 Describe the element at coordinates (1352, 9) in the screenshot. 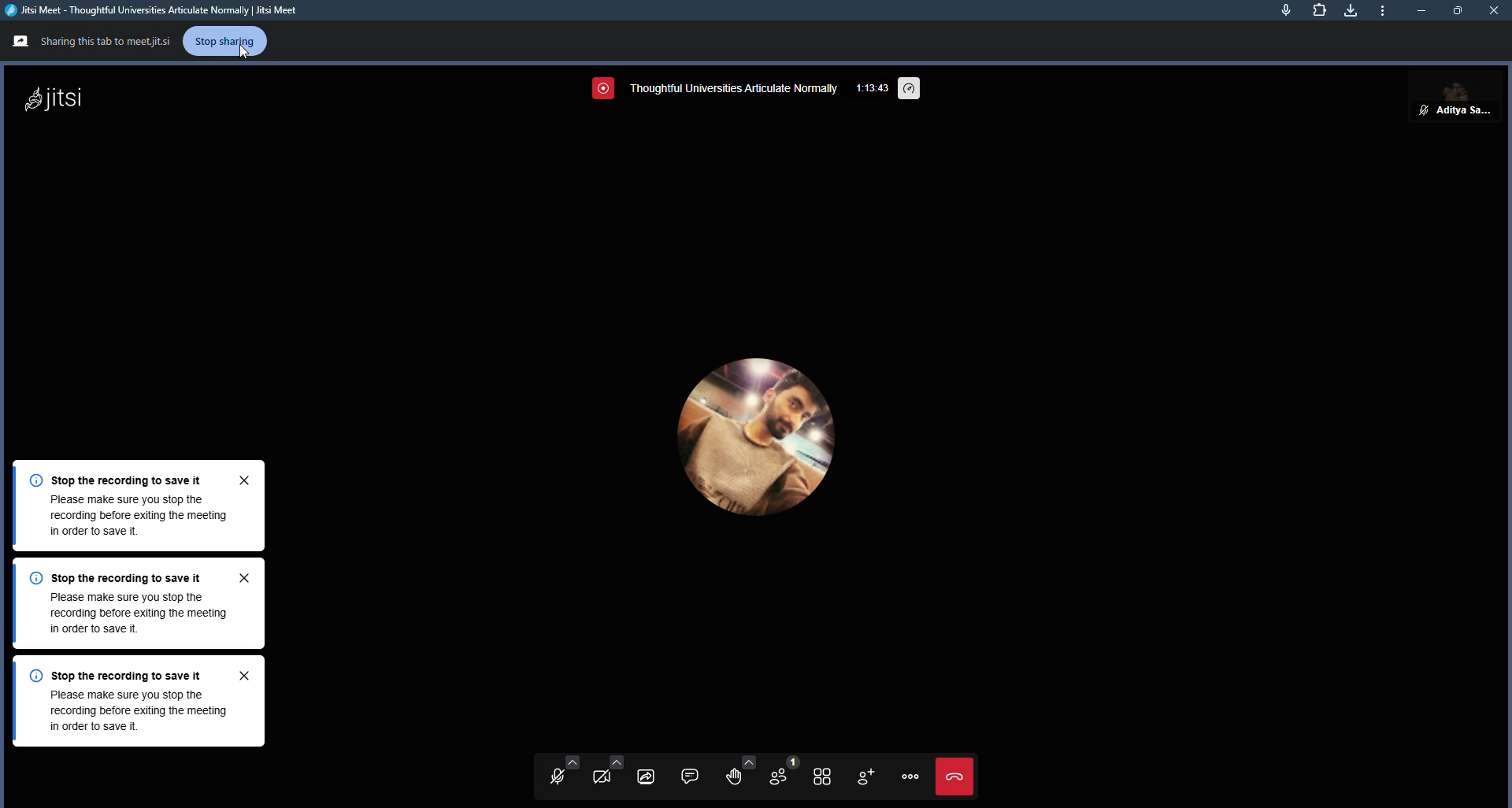

I see `downloads` at that location.